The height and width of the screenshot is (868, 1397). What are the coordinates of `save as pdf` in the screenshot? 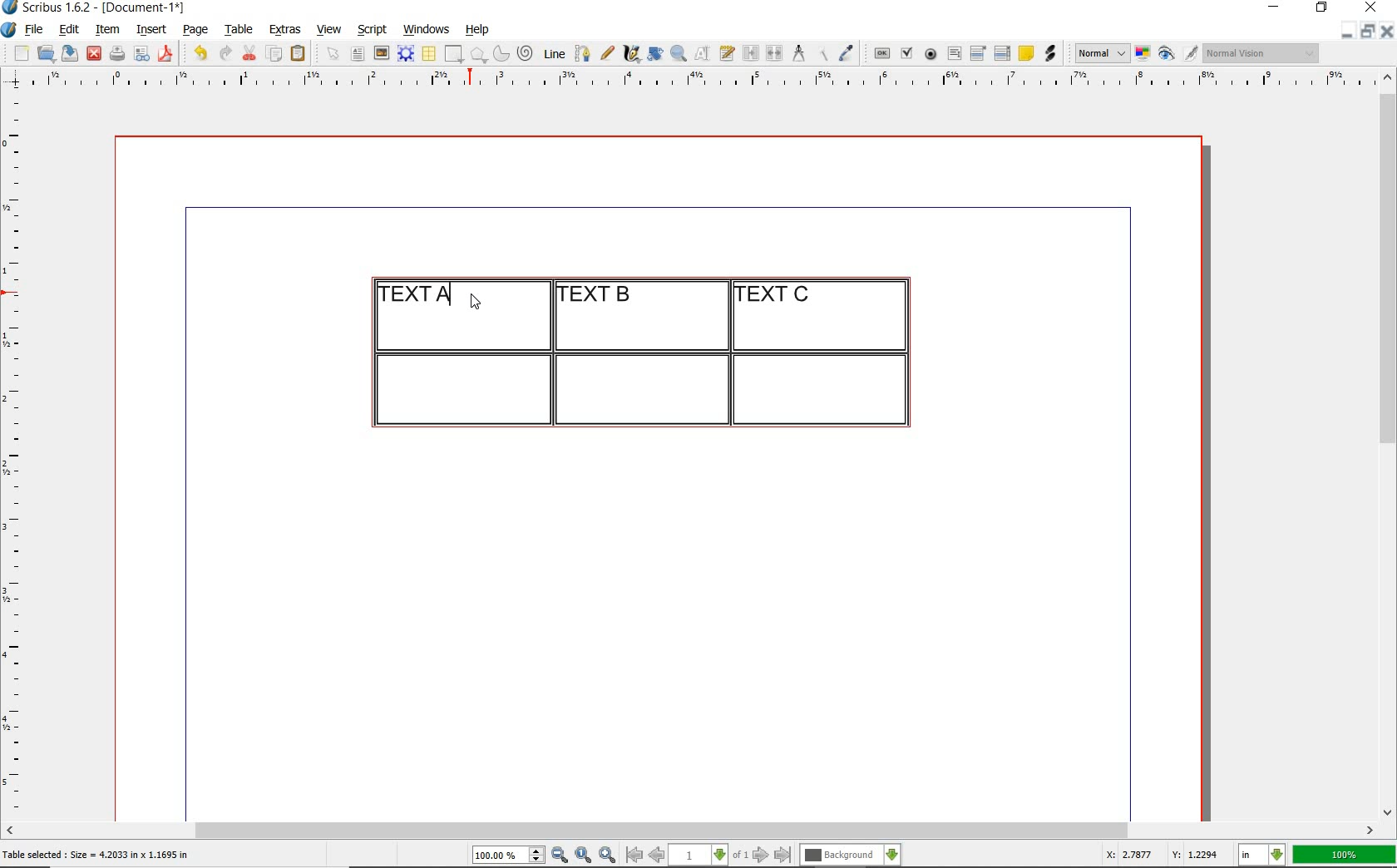 It's located at (168, 53).